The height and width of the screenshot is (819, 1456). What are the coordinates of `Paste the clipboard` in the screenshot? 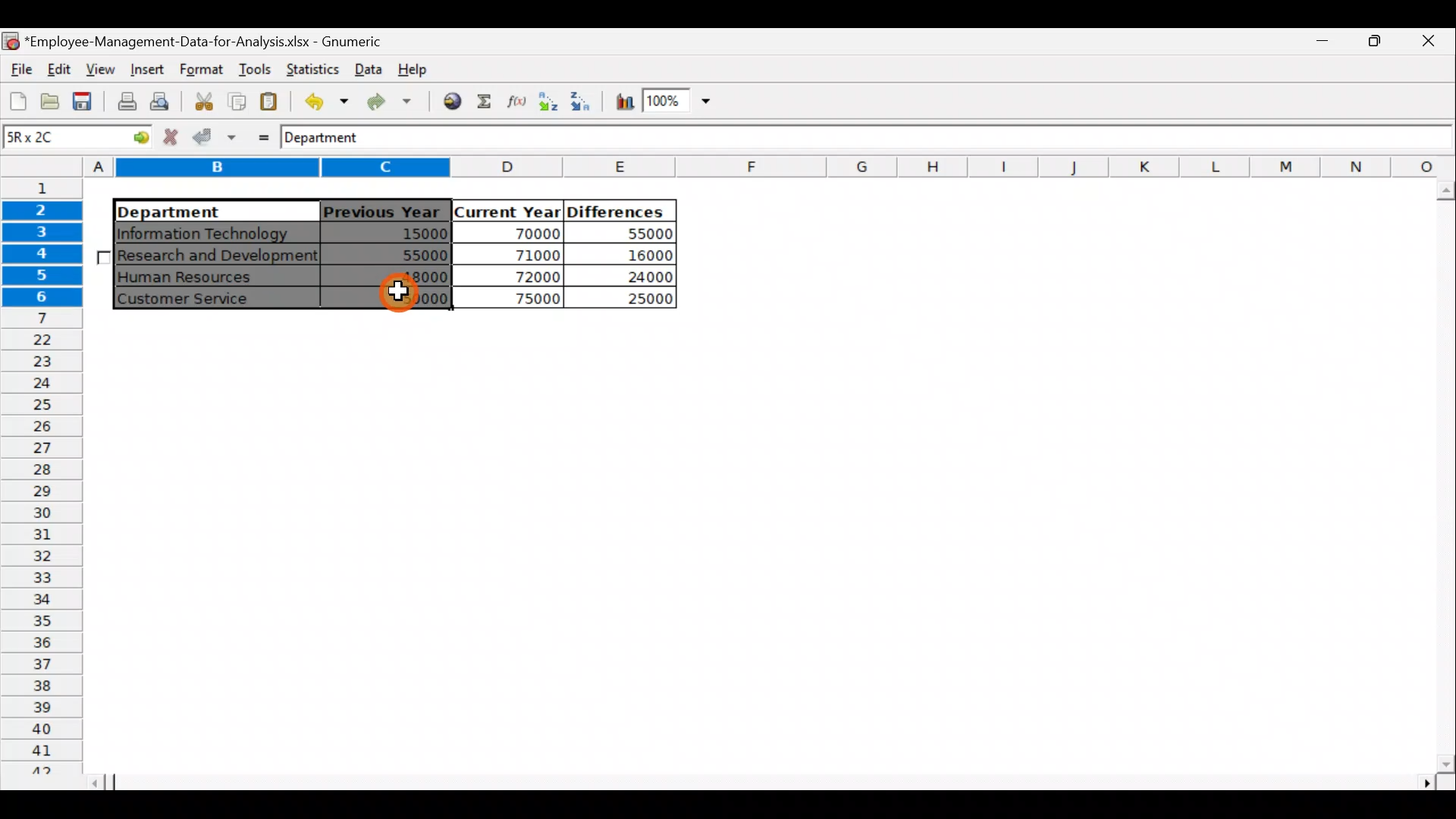 It's located at (272, 102).